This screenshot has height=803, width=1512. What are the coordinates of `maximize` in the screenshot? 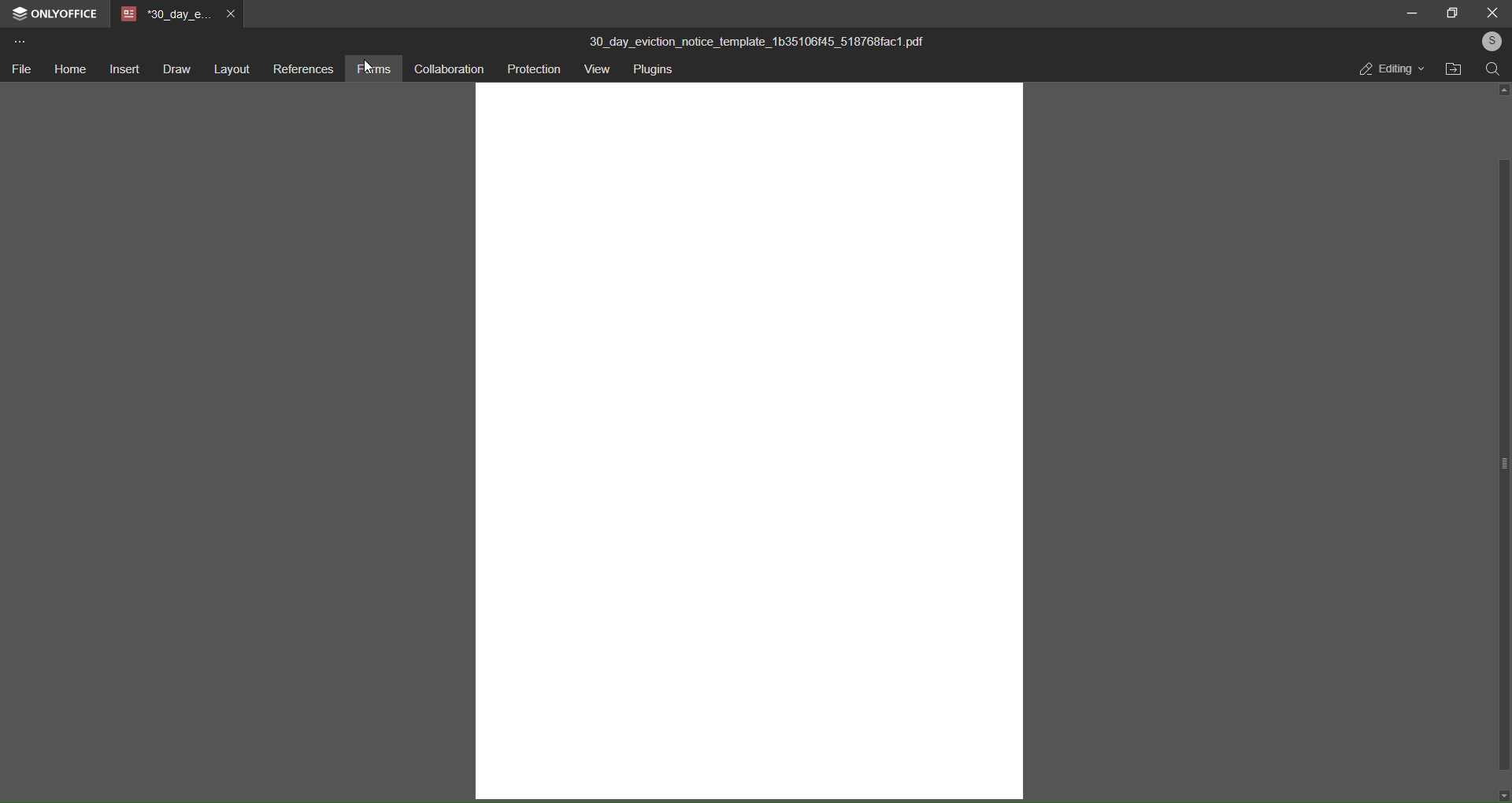 It's located at (1451, 13).